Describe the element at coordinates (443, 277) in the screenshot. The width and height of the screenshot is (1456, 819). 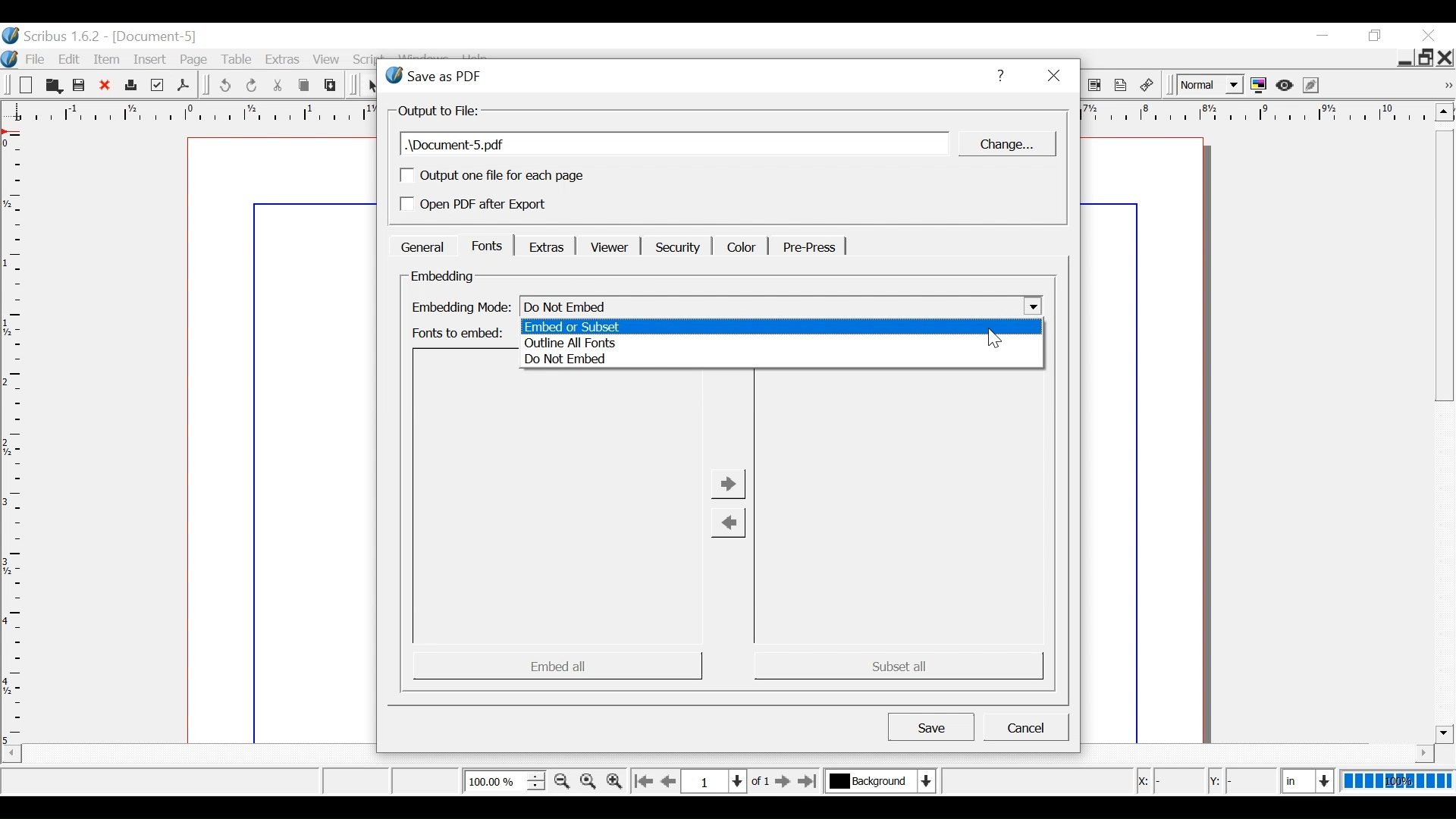
I see `Embedding` at that location.